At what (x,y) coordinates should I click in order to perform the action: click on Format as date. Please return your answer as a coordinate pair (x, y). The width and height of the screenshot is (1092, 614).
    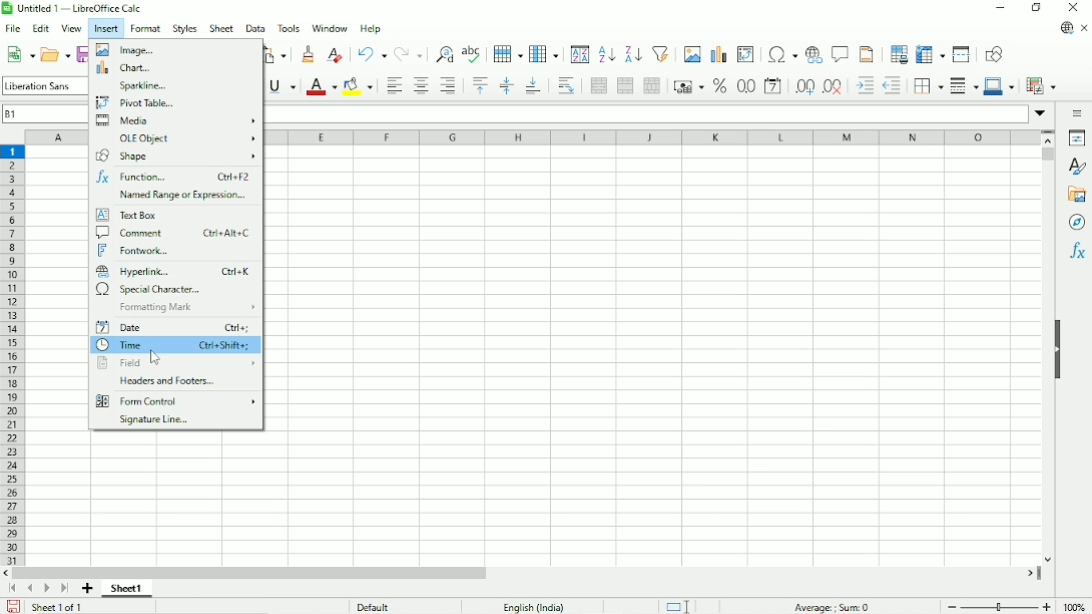
    Looking at the image, I should click on (772, 86).